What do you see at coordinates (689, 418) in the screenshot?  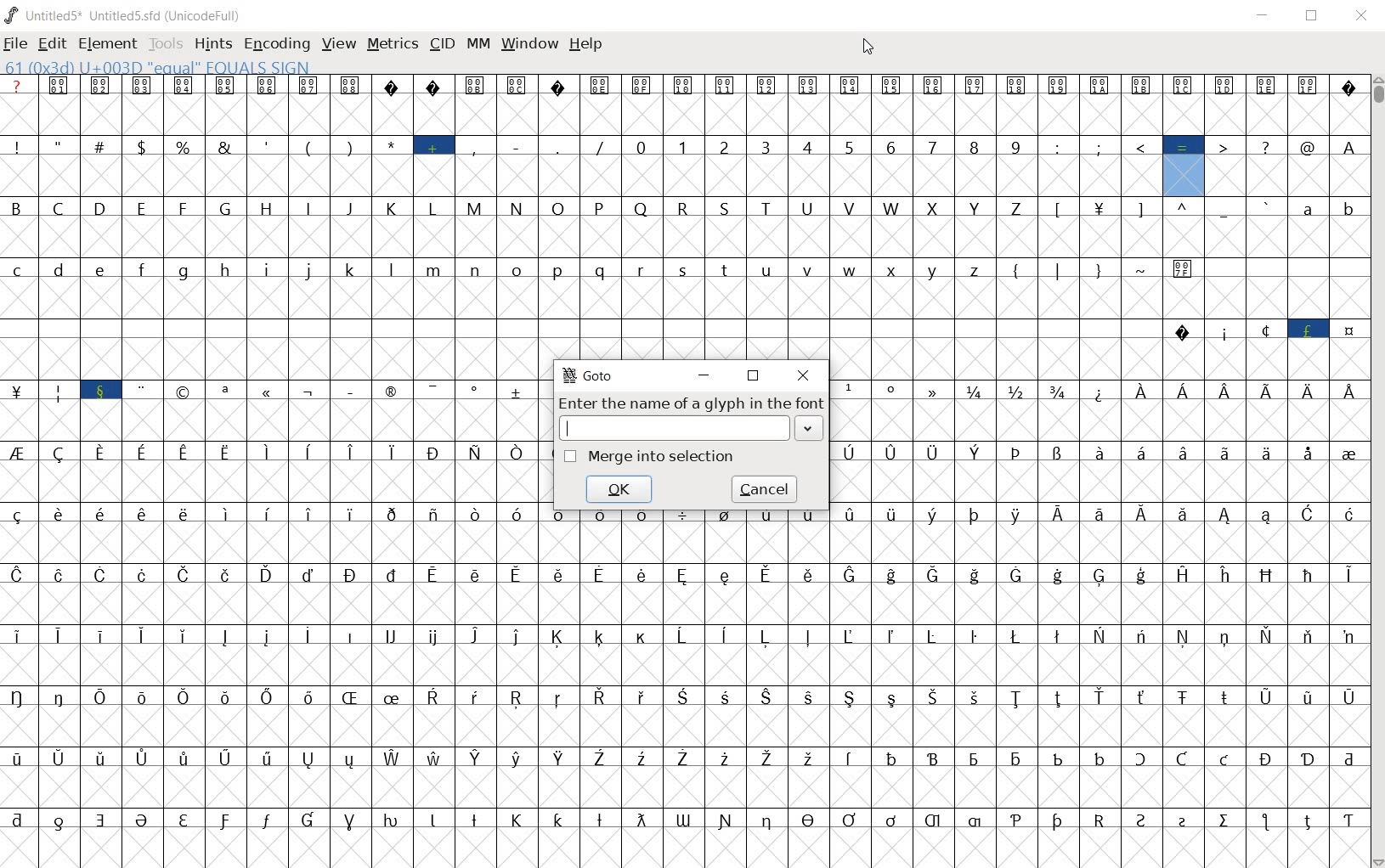 I see `Enter the name of a glyph in the font` at bounding box center [689, 418].